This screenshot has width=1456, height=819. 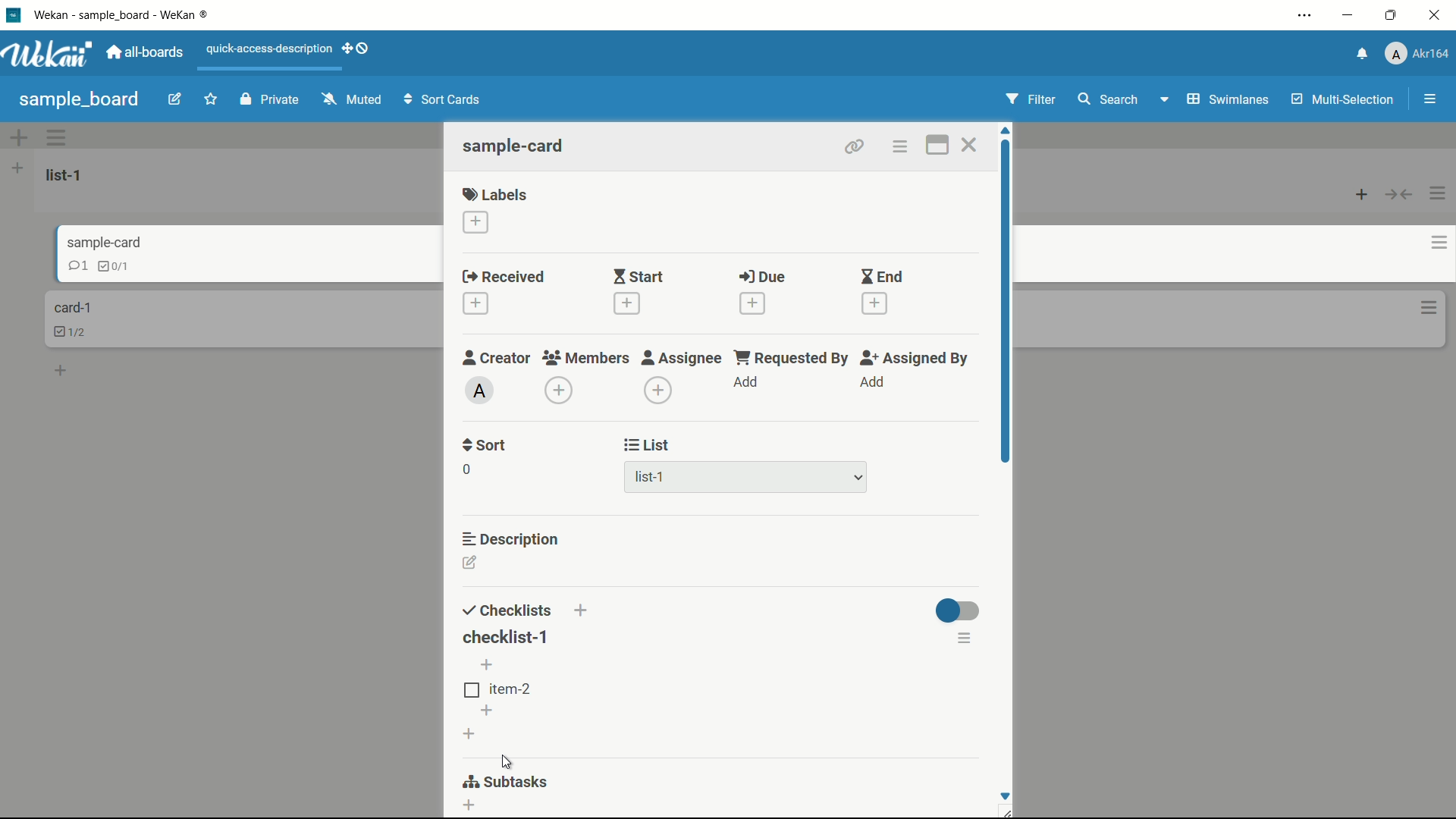 I want to click on add members, so click(x=559, y=389).